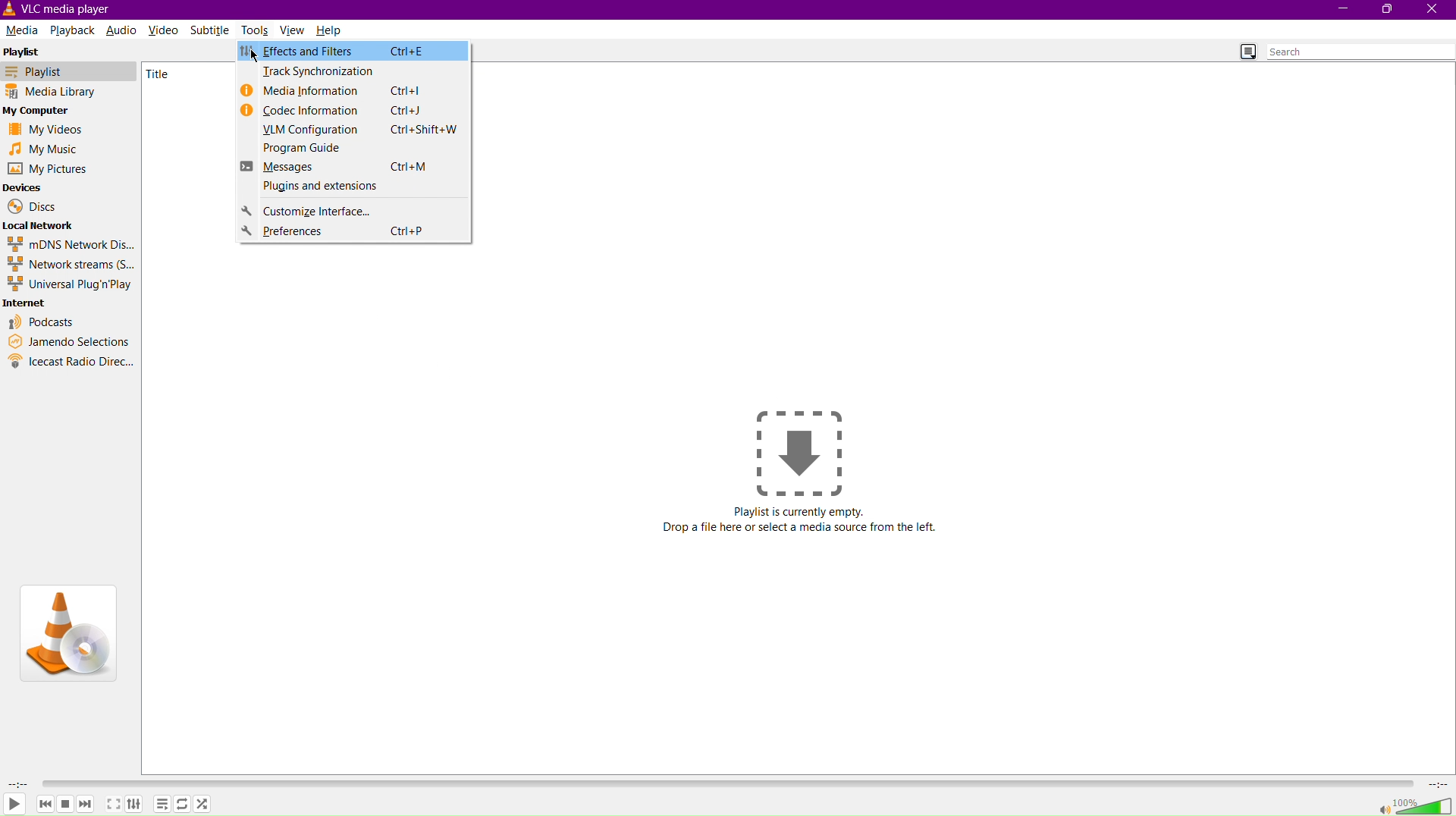  Describe the element at coordinates (802, 514) in the screenshot. I see `Playlist is currently empty` at that location.